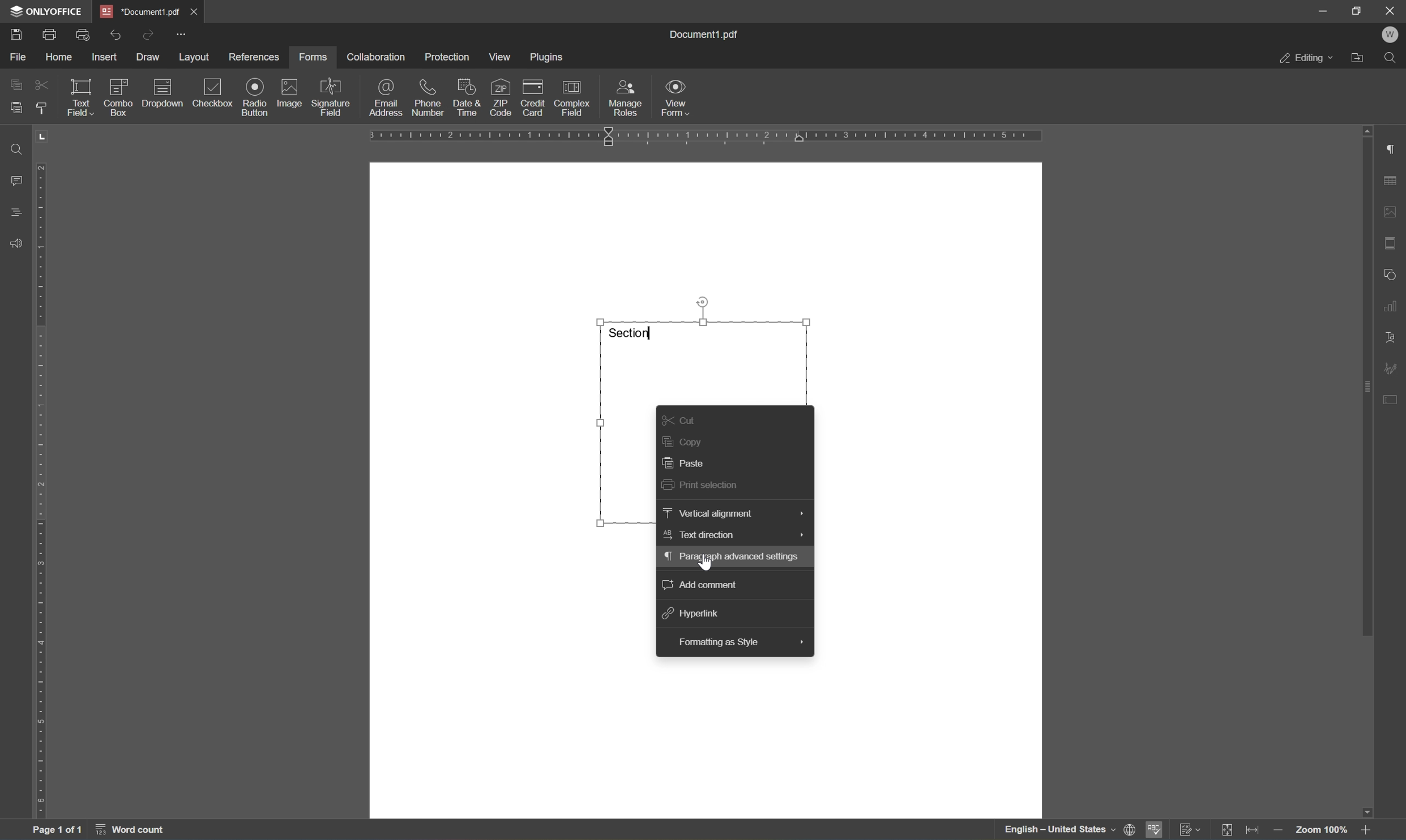  What do you see at coordinates (41, 108) in the screenshot?
I see `copy style` at bounding box center [41, 108].